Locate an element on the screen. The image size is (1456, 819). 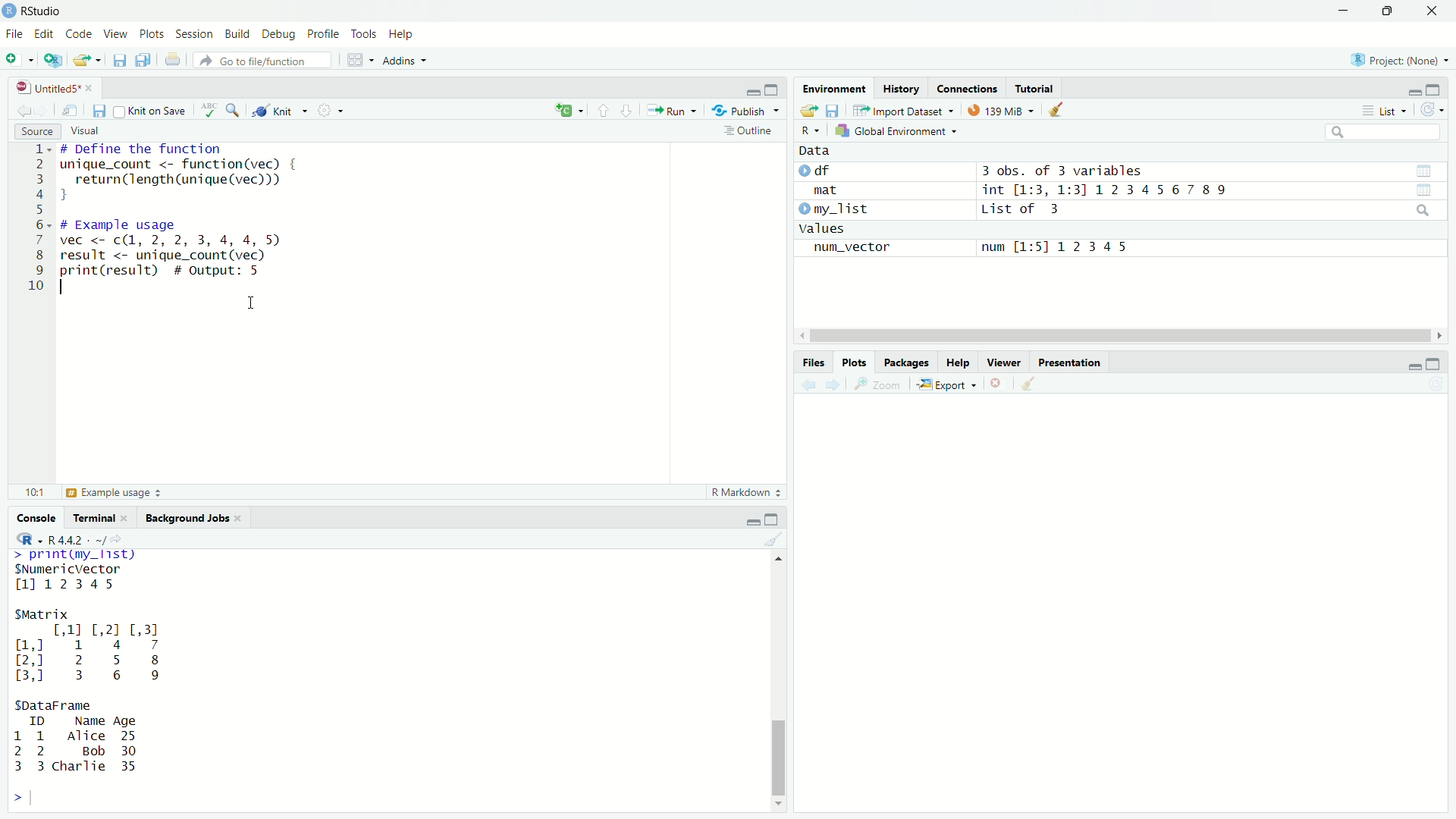
Publish is located at coordinates (744, 110).